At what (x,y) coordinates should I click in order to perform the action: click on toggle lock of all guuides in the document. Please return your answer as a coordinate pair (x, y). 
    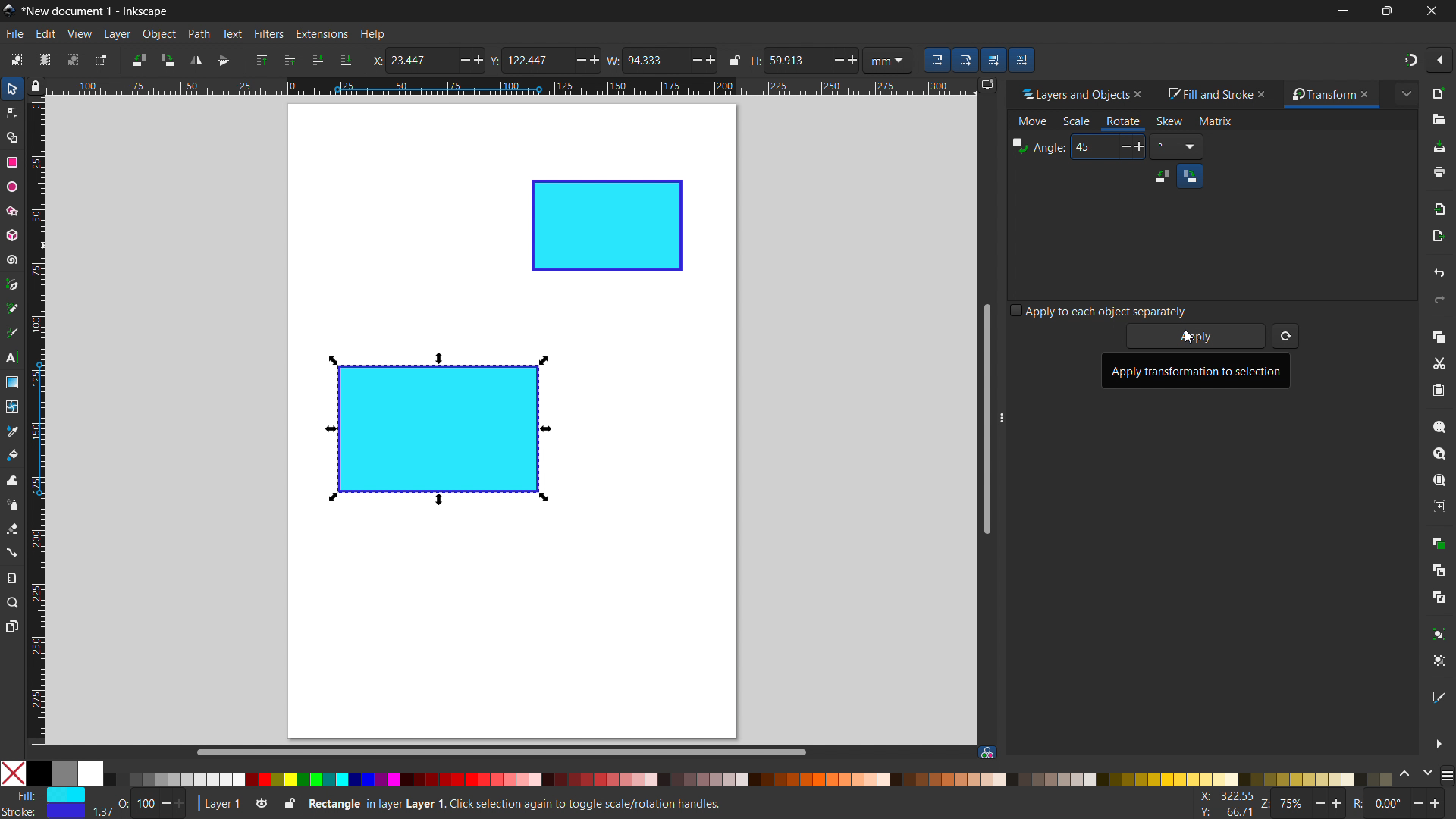
    Looking at the image, I should click on (36, 86).